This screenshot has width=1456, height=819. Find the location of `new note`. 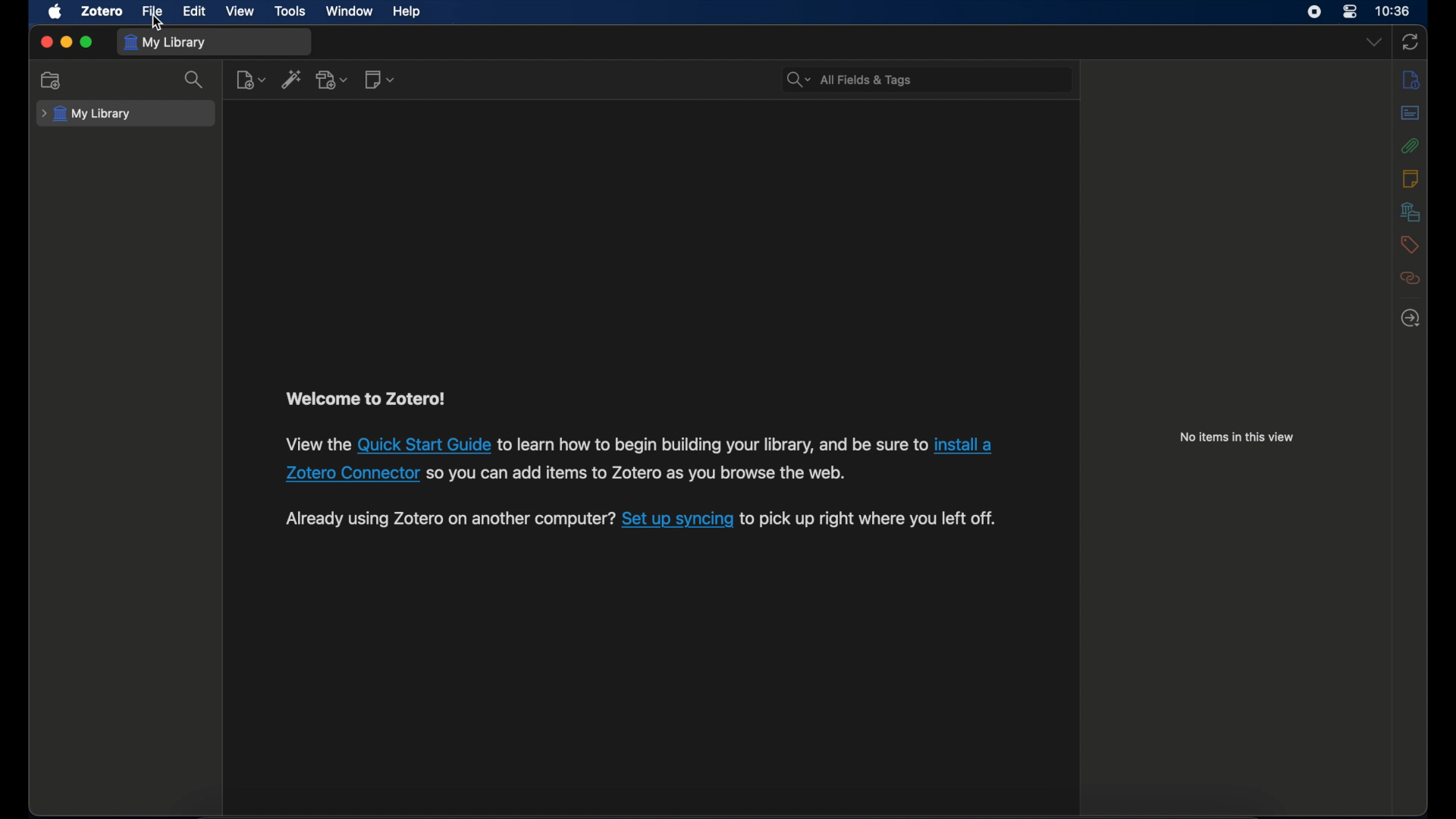

new note is located at coordinates (379, 79).